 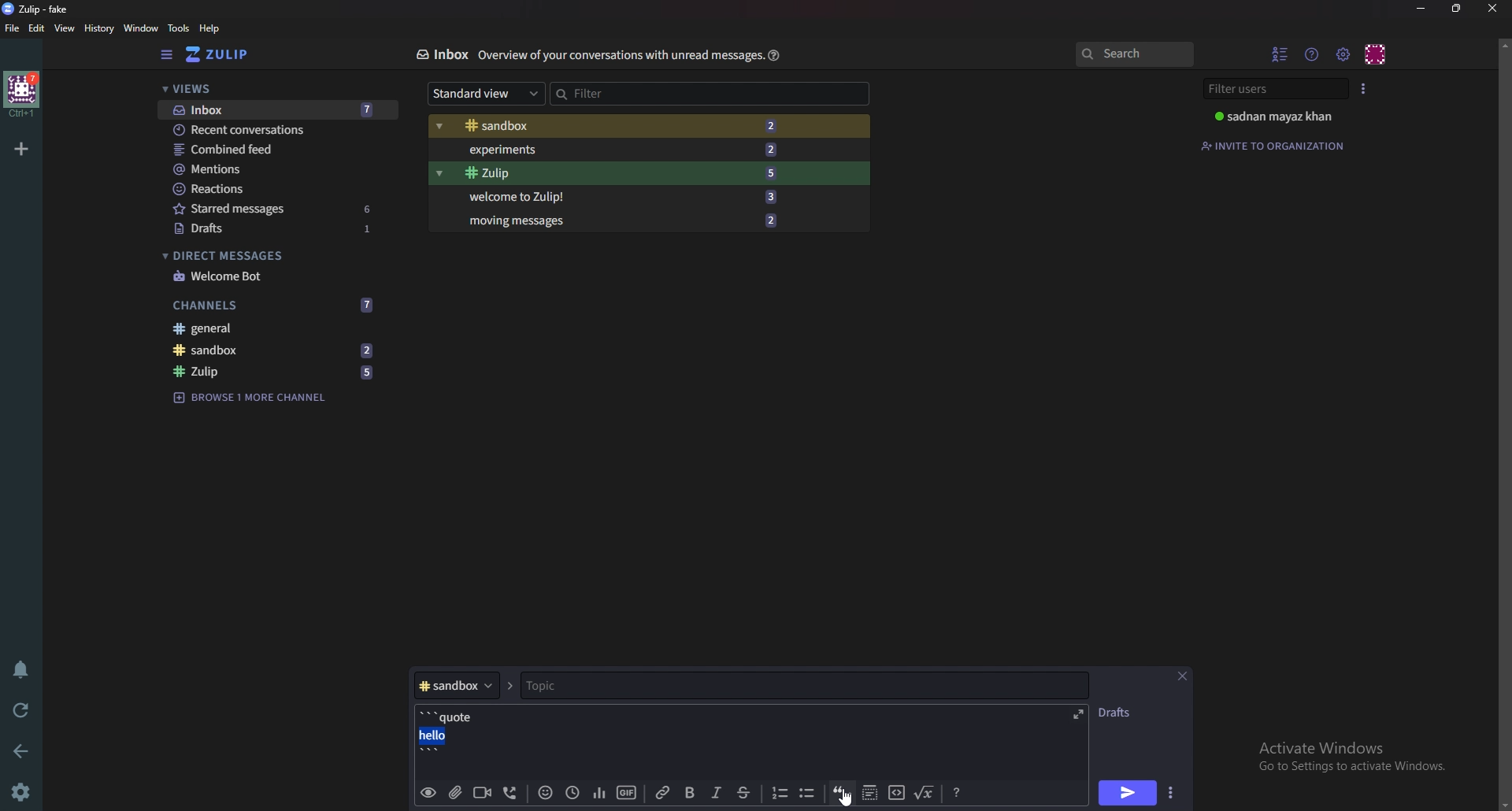 What do you see at coordinates (624, 793) in the screenshot?
I see `gif` at bounding box center [624, 793].